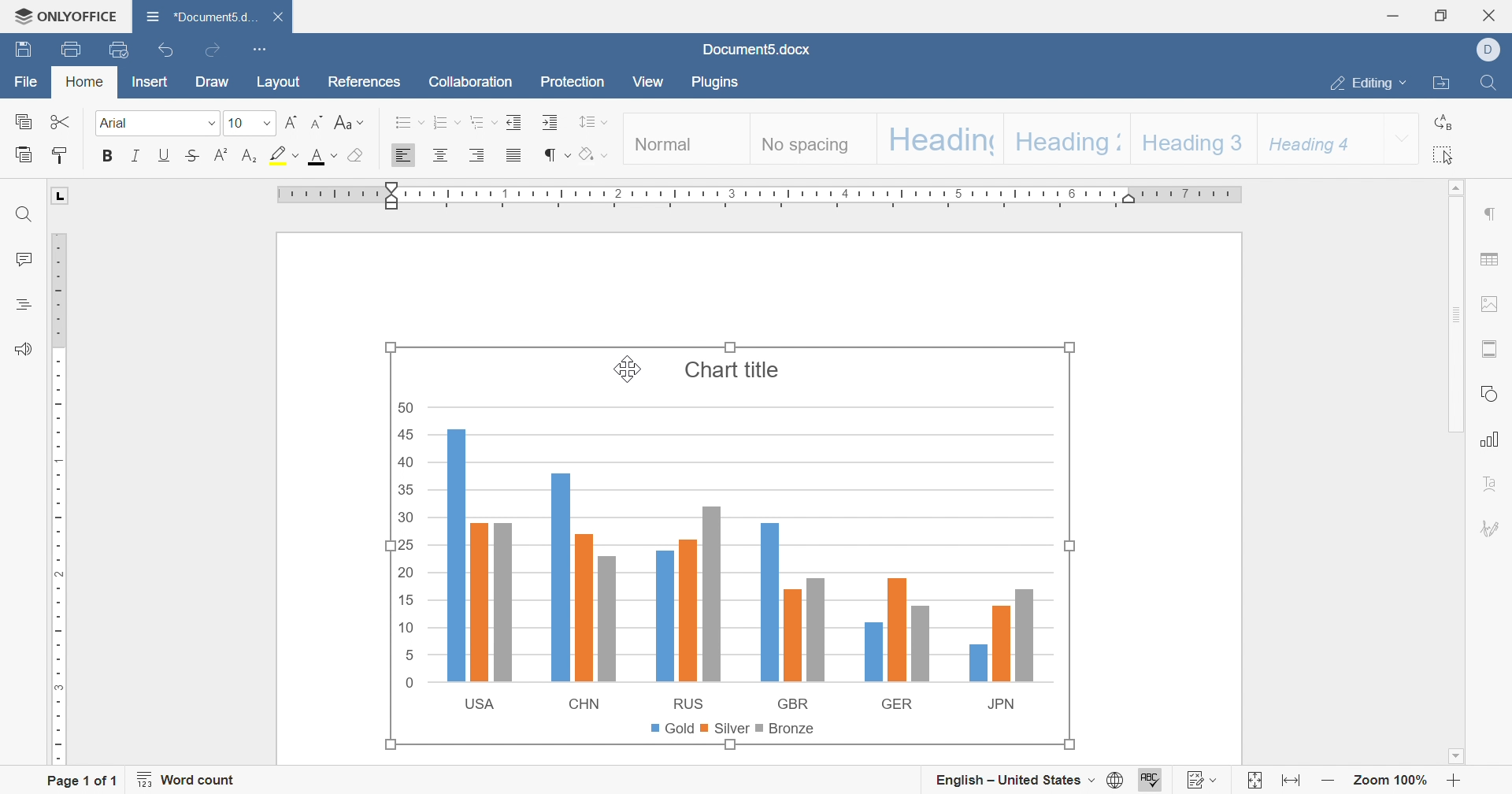 This screenshot has height=794, width=1512. Describe the element at coordinates (24, 213) in the screenshot. I see `find` at that location.